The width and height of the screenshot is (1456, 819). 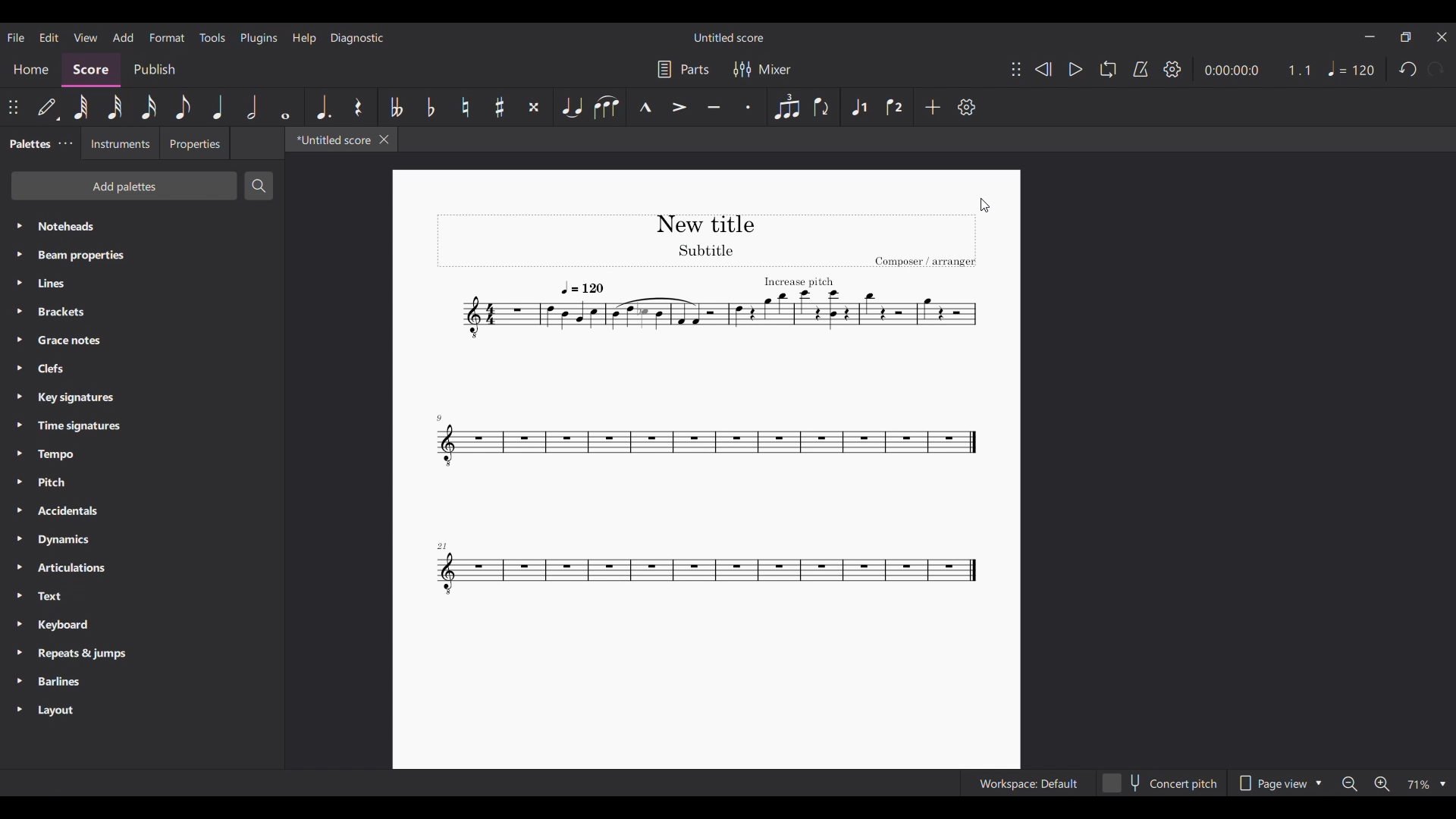 What do you see at coordinates (330, 139) in the screenshot?
I see `*Untitled score, current tab` at bounding box center [330, 139].